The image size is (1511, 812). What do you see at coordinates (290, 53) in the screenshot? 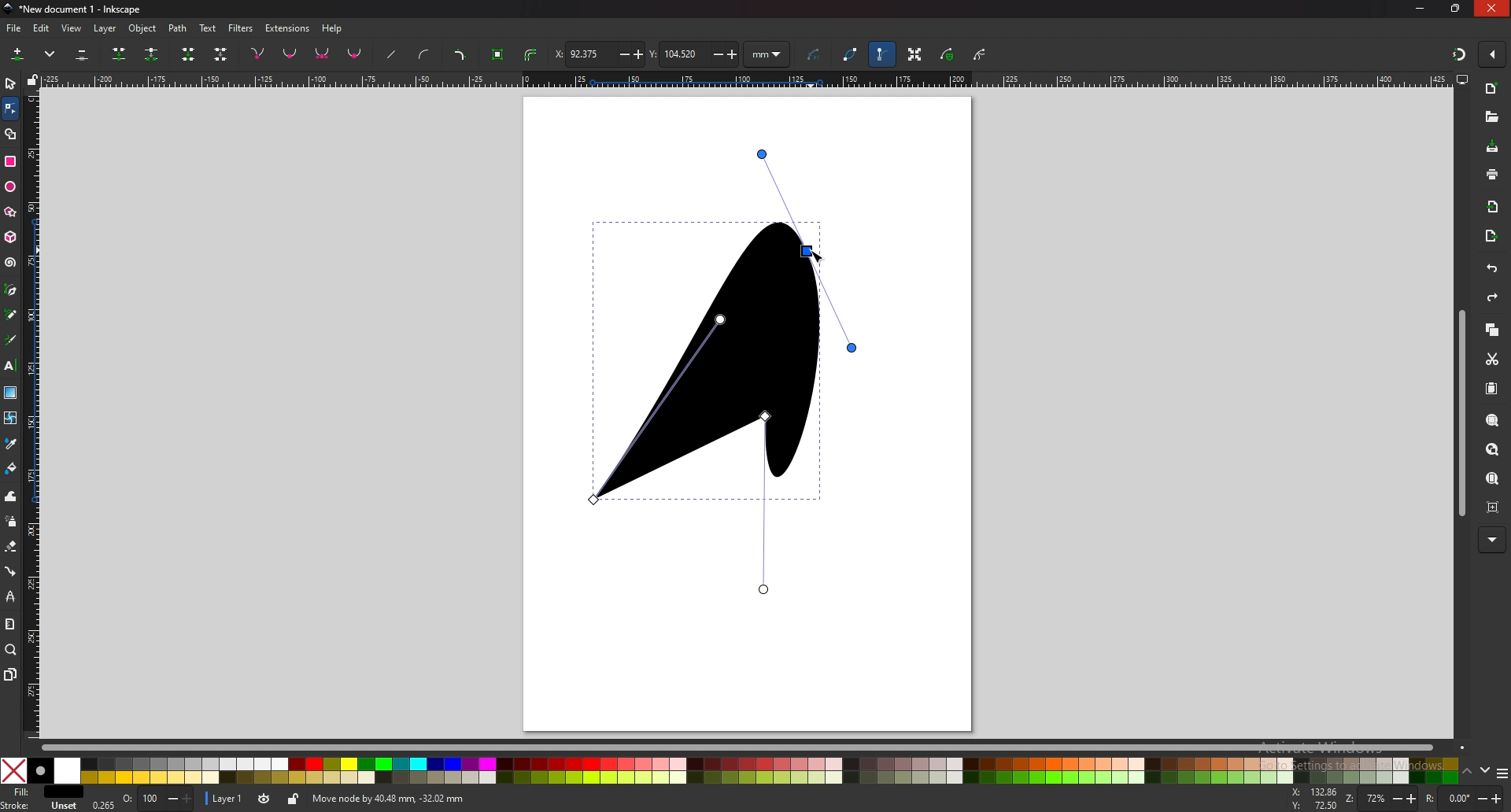
I see `nodes smooth` at bounding box center [290, 53].